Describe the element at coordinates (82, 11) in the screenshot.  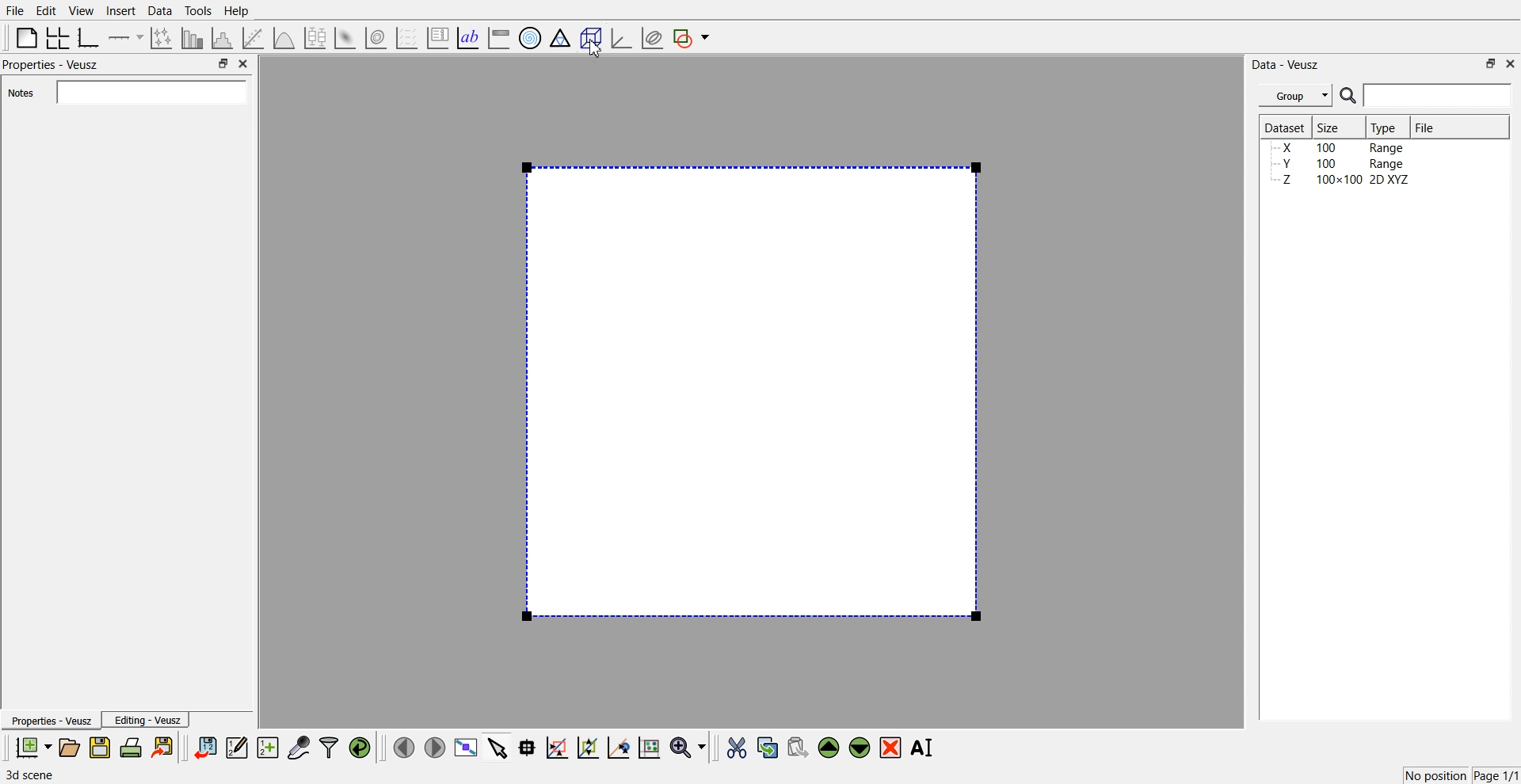
I see `View` at that location.